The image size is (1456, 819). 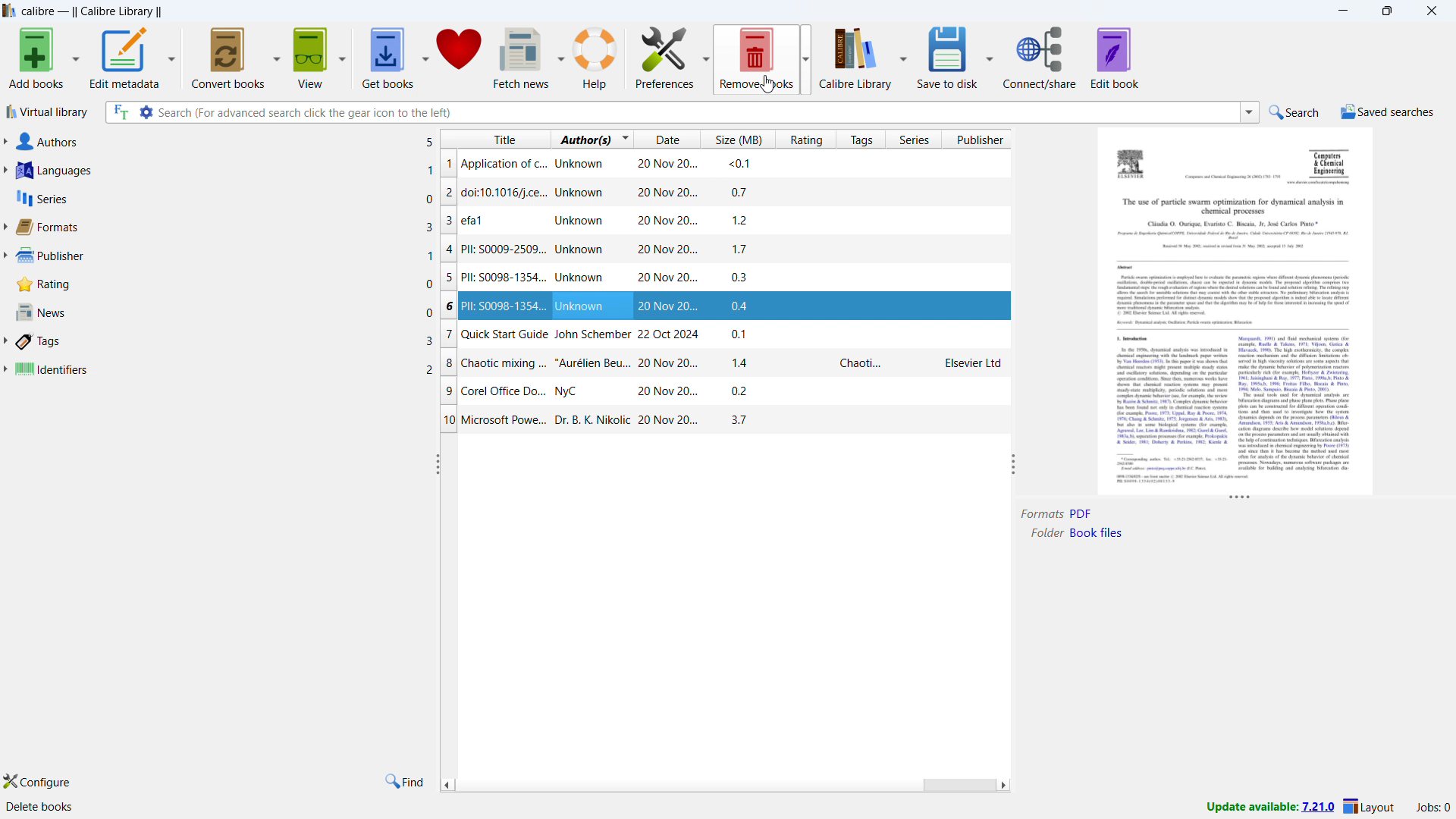 What do you see at coordinates (48, 111) in the screenshot?
I see `virtual library` at bounding box center [48, 111].